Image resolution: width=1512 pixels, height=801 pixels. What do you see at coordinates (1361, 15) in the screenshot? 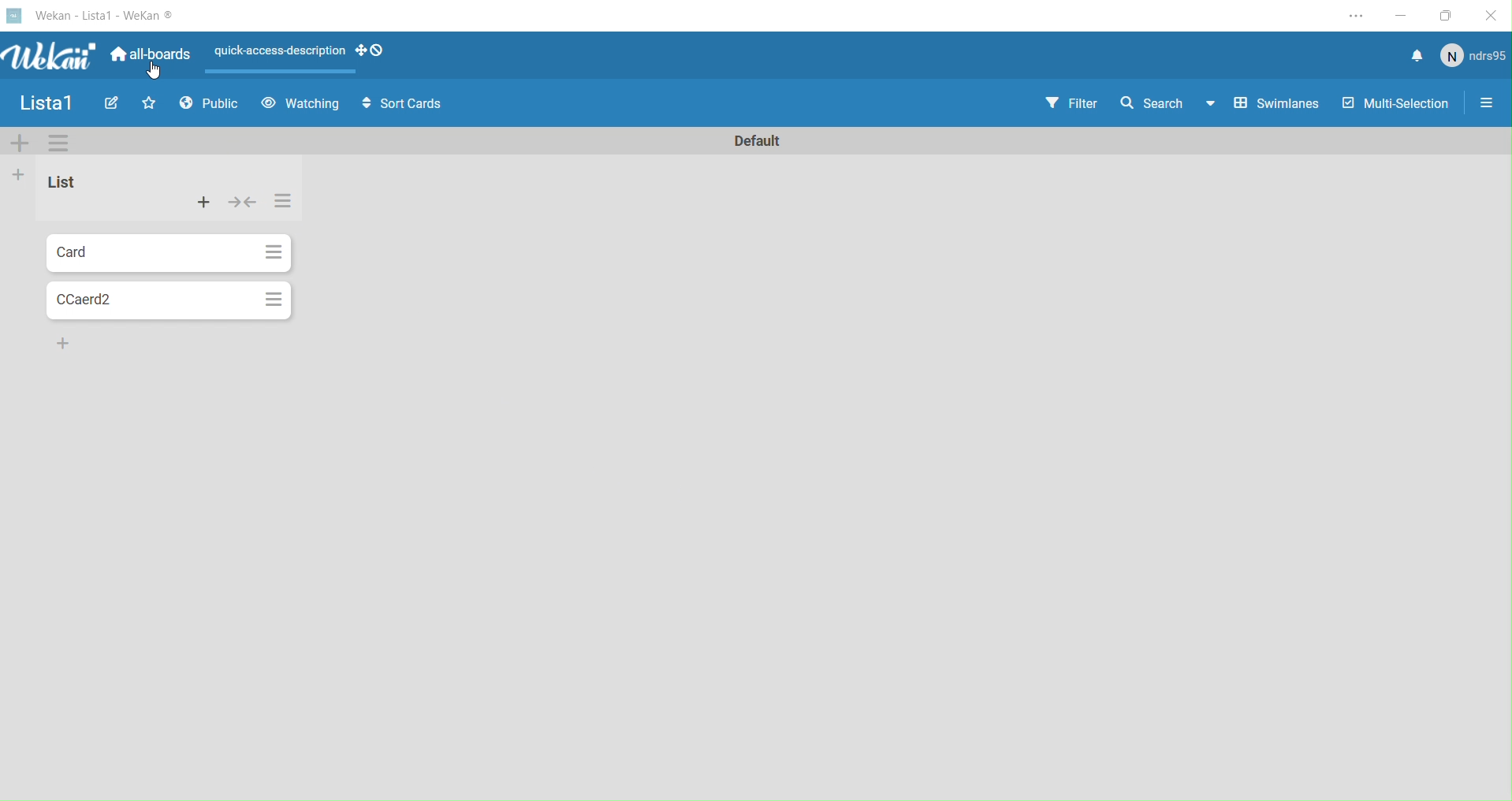
I see `Settings and More` at bounding box center [1361, 15].